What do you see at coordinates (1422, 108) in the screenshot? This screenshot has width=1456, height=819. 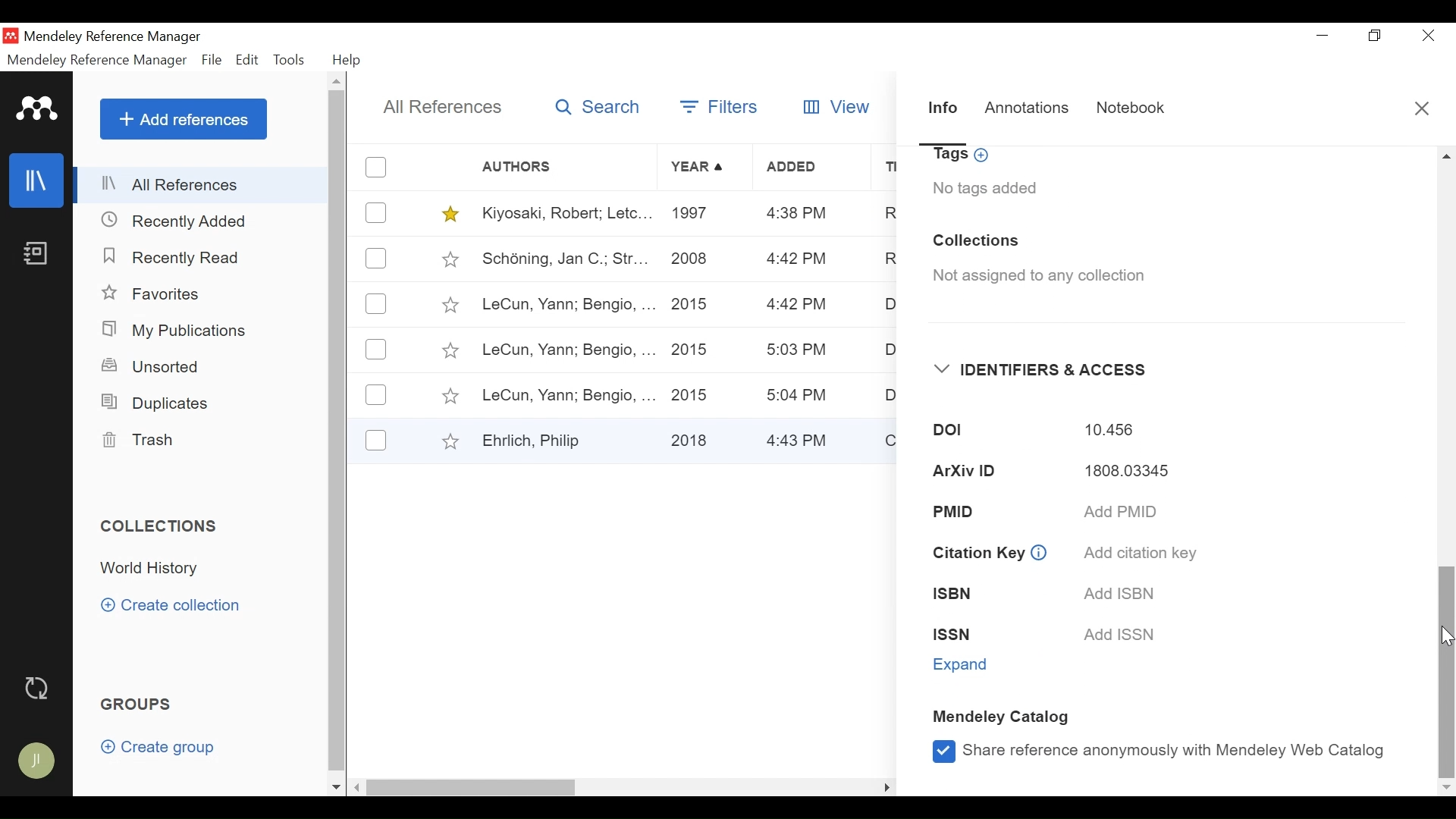 I see `Close` at bounding box center [1422, 108].